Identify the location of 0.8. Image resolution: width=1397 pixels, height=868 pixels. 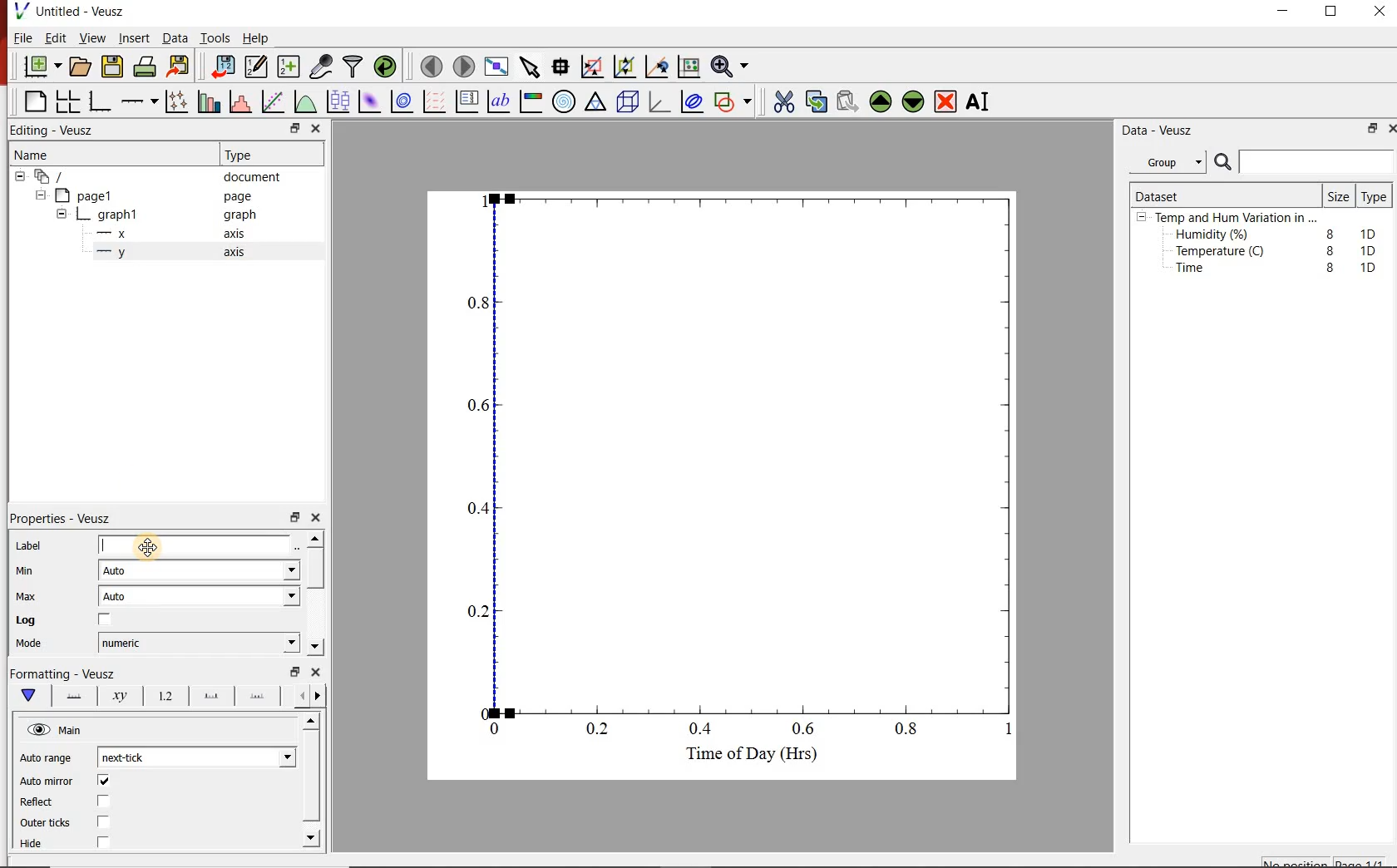
(479, 302).